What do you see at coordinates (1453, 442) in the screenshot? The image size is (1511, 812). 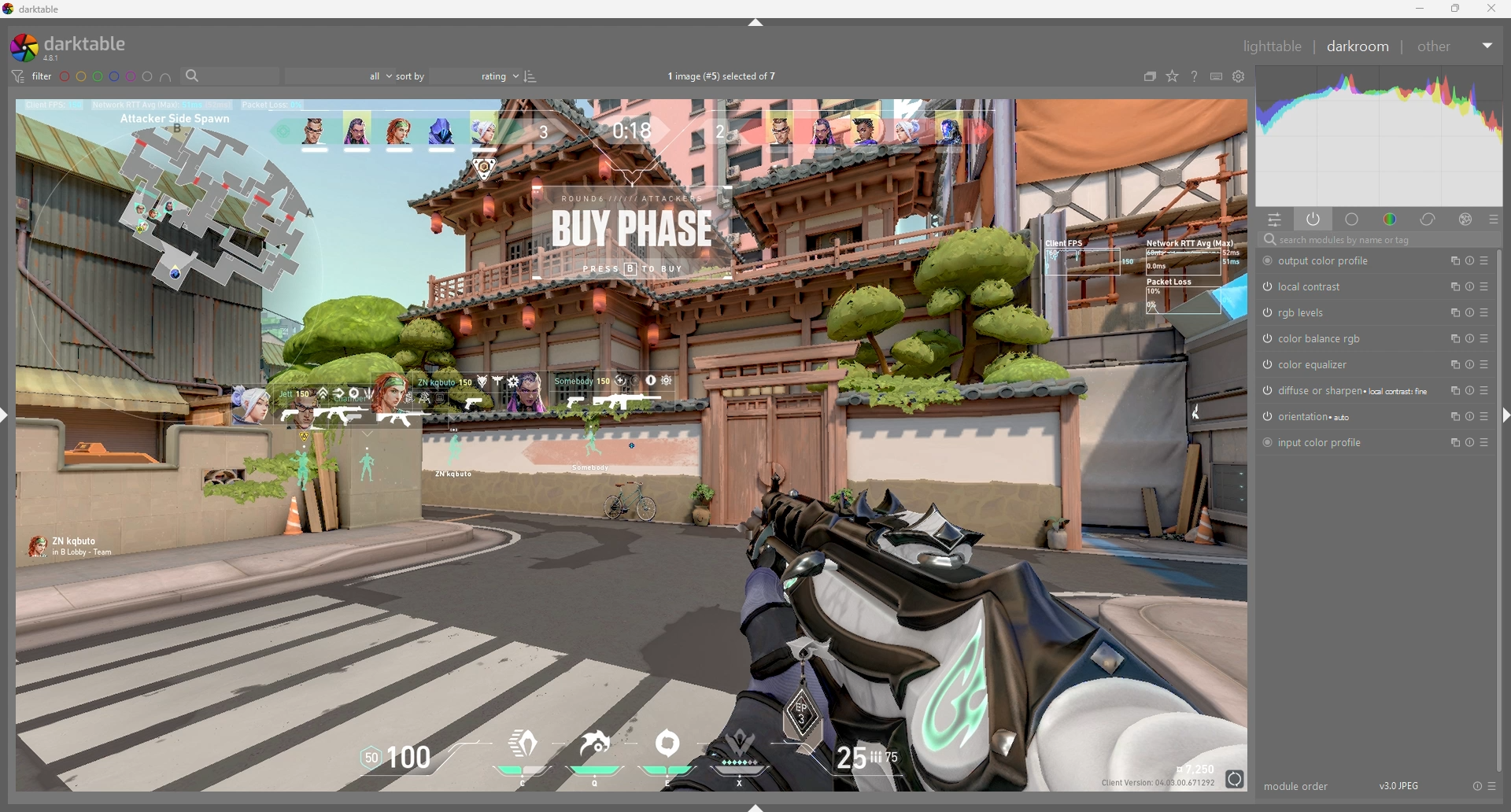 I see `multiple instances actions` at bounding box center [1453, 442].